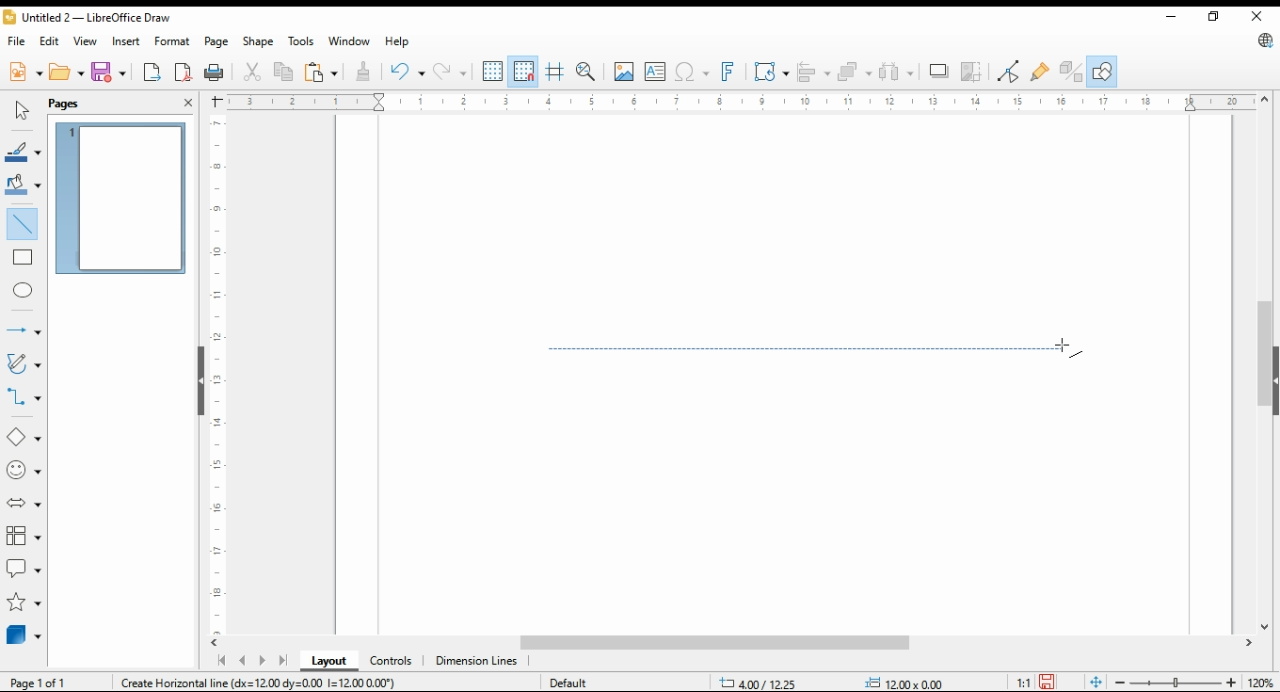 The width and height of the screenshot is (1280, 692). I want to click on select at least three objects to distribute, so click(896, 72).